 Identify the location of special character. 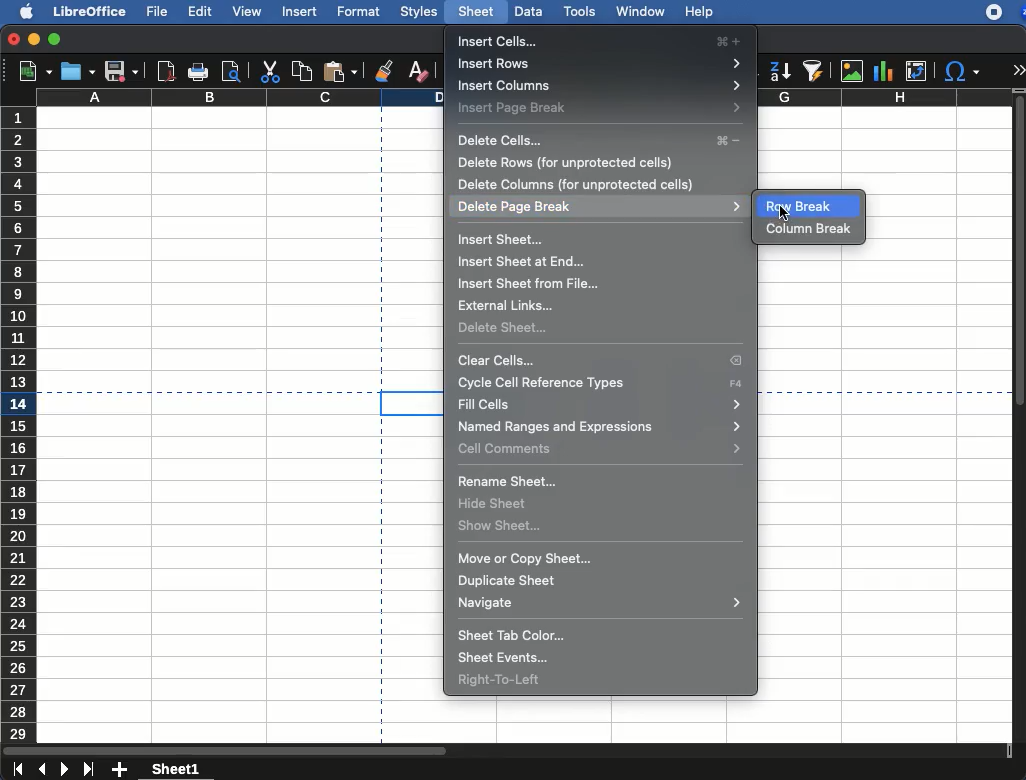
(962, 71).